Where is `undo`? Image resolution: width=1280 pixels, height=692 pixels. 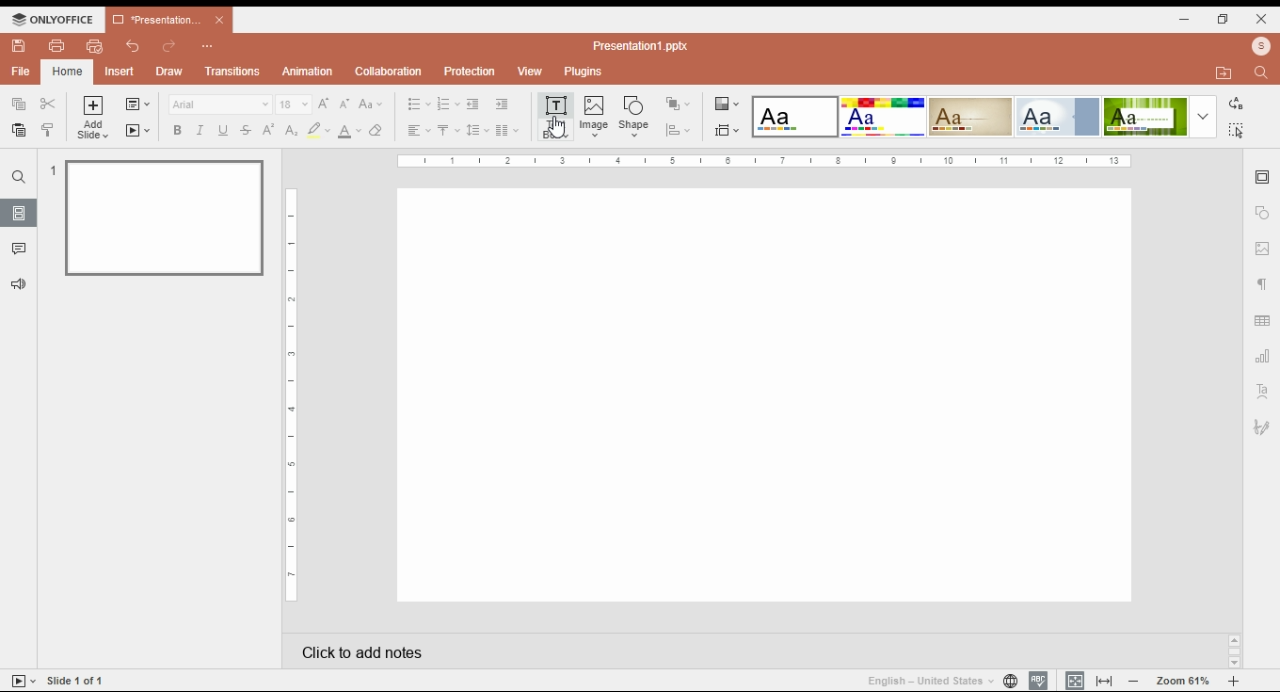
undo is located at coordinates (135, 47).